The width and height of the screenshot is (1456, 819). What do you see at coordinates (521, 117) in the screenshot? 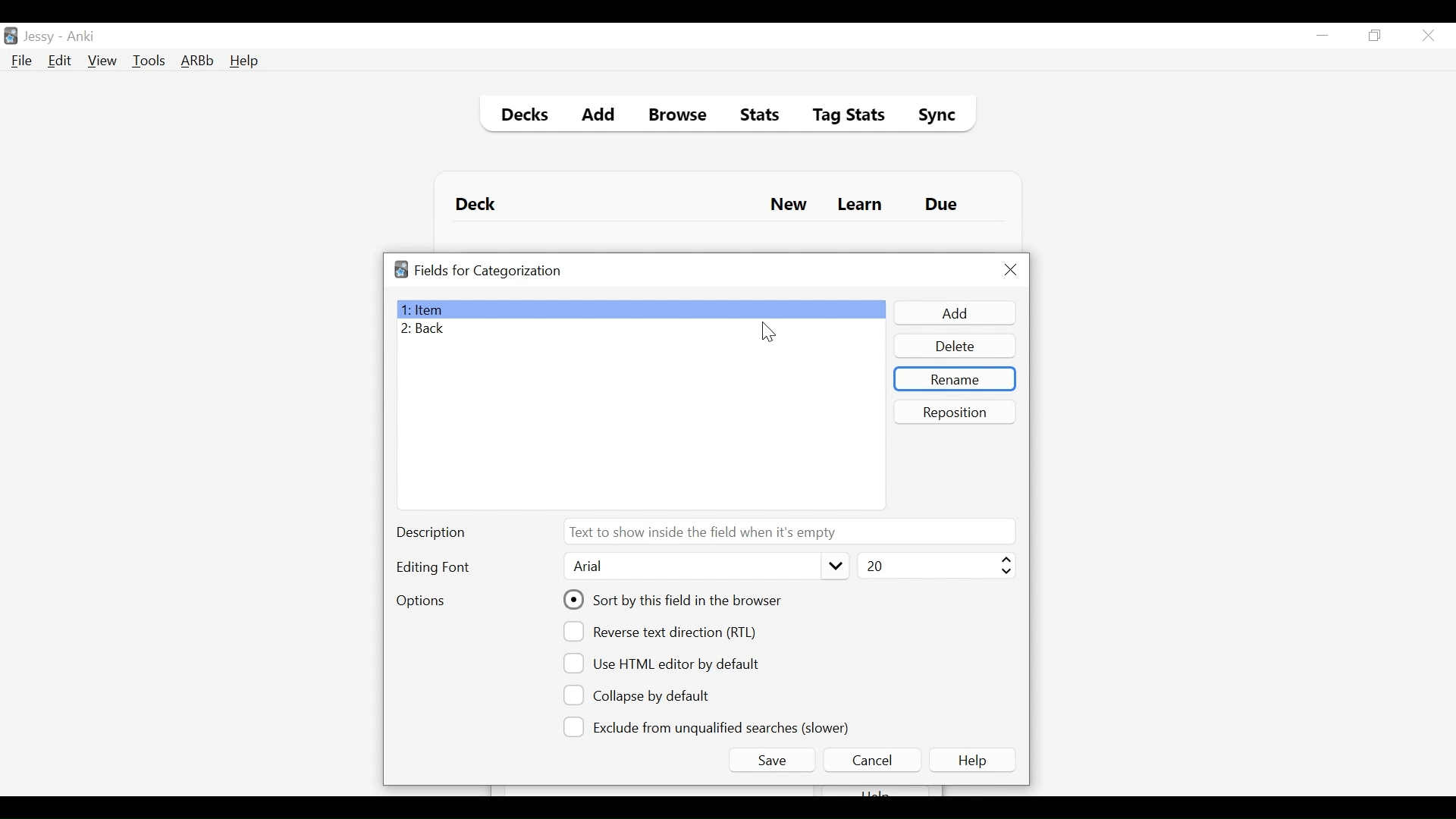
I see `Decks` at bounding box center [521, 117].